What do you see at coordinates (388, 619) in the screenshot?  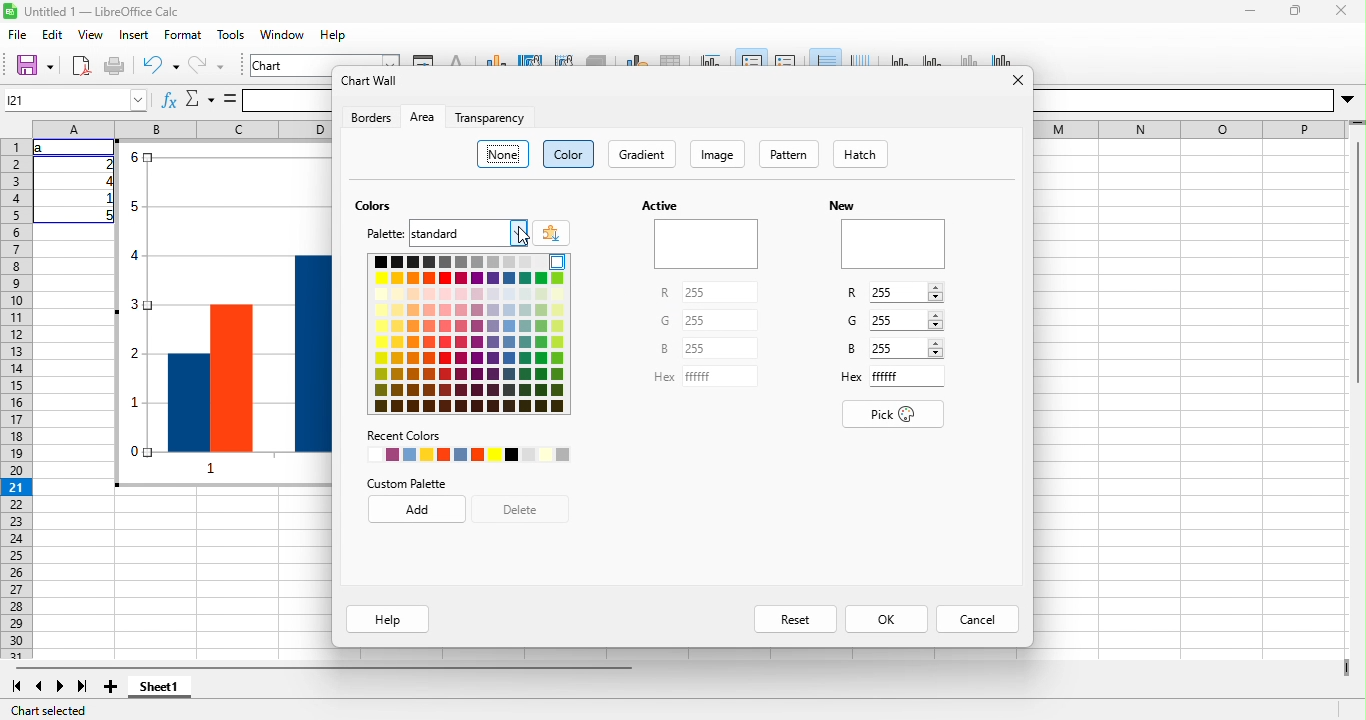 I see `help` at bounding box center [388, 619].